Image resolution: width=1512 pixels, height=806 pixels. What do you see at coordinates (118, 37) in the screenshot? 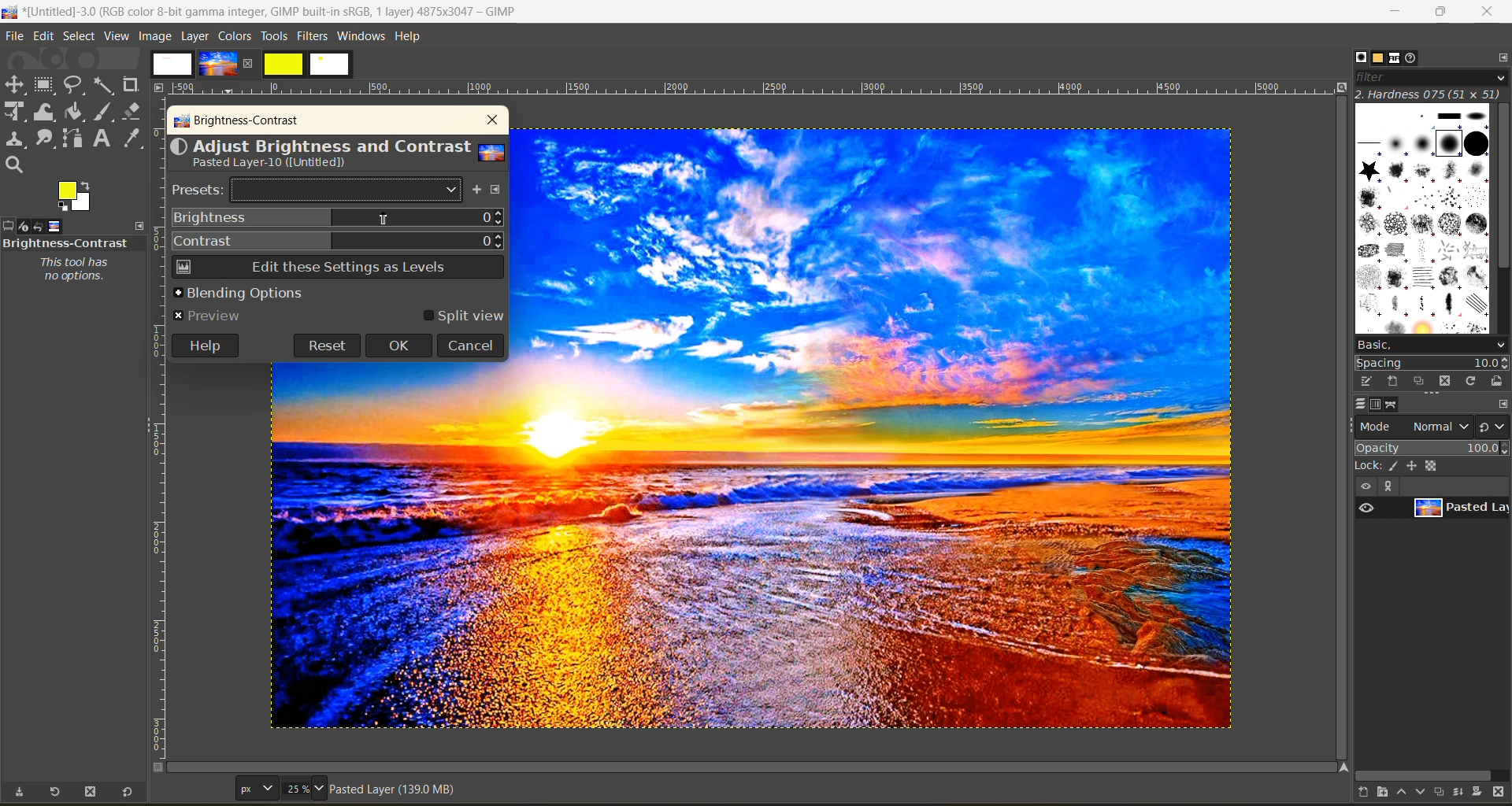
I see `view` at bounding box center [118, 37].